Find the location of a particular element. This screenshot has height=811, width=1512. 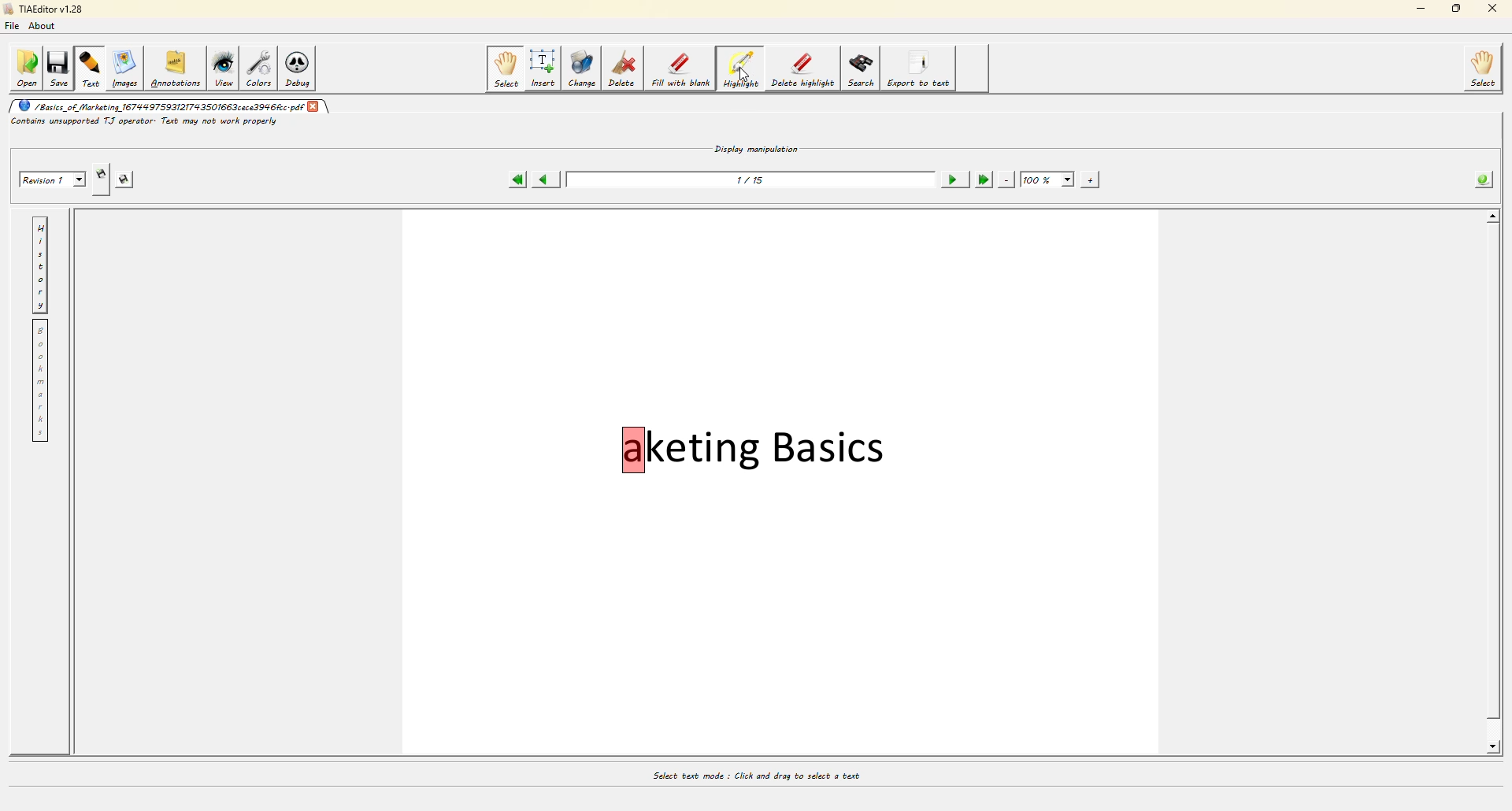

move up is located at coordinates (1494, 216).